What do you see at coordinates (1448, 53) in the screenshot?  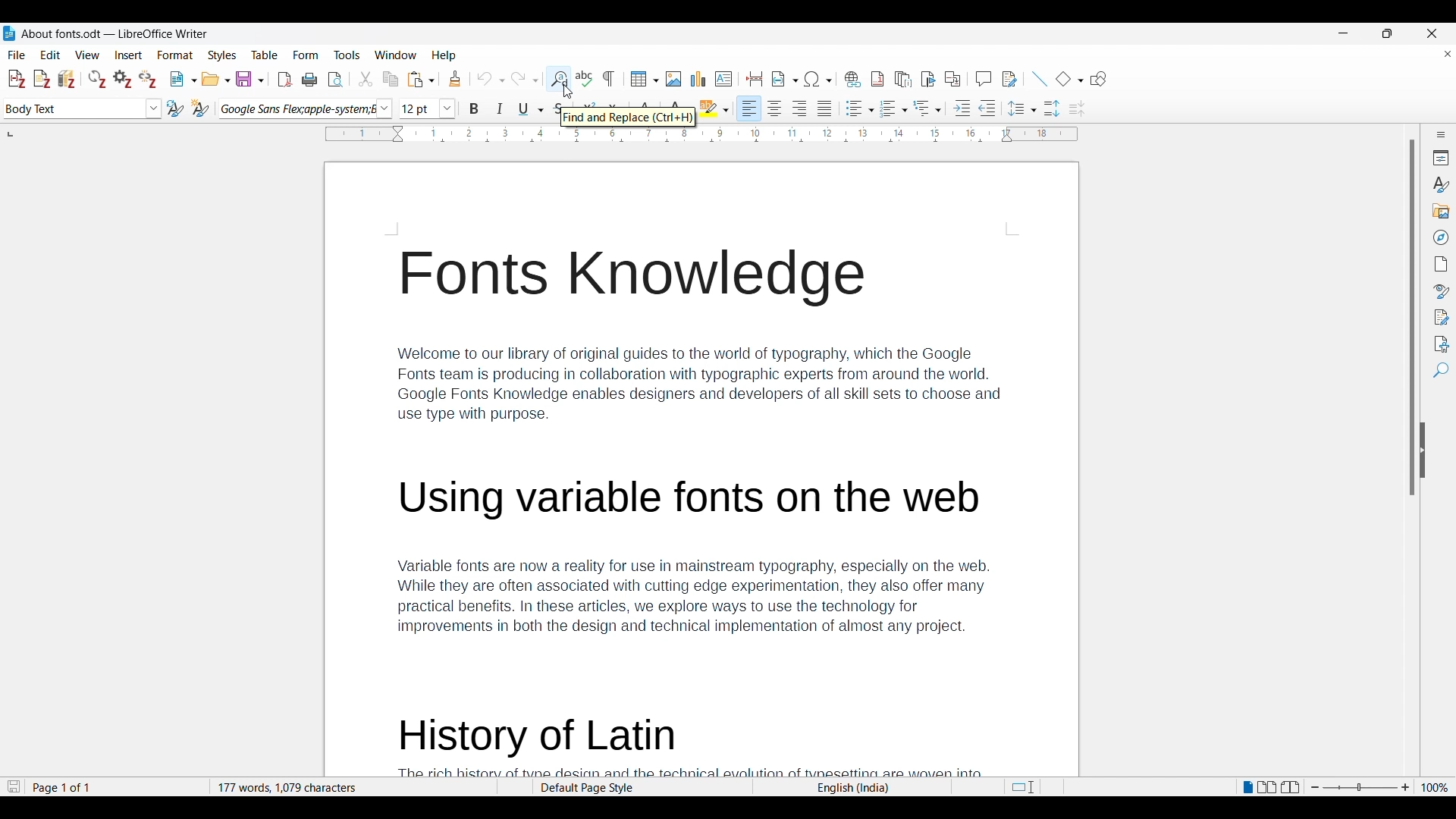 I see `Close document` at bounding box center [1448, 53].